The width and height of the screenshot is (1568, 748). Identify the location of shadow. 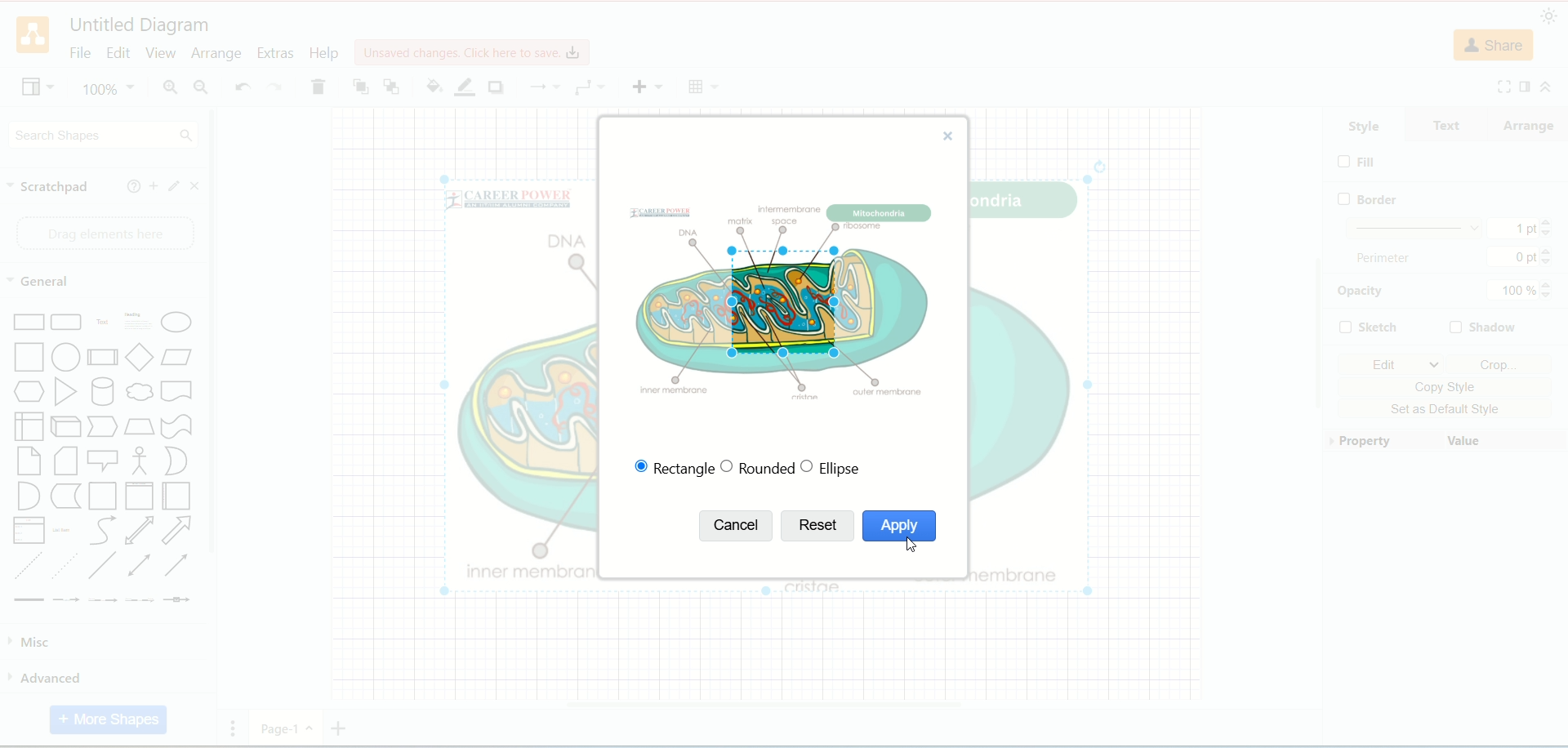
(501, 88).